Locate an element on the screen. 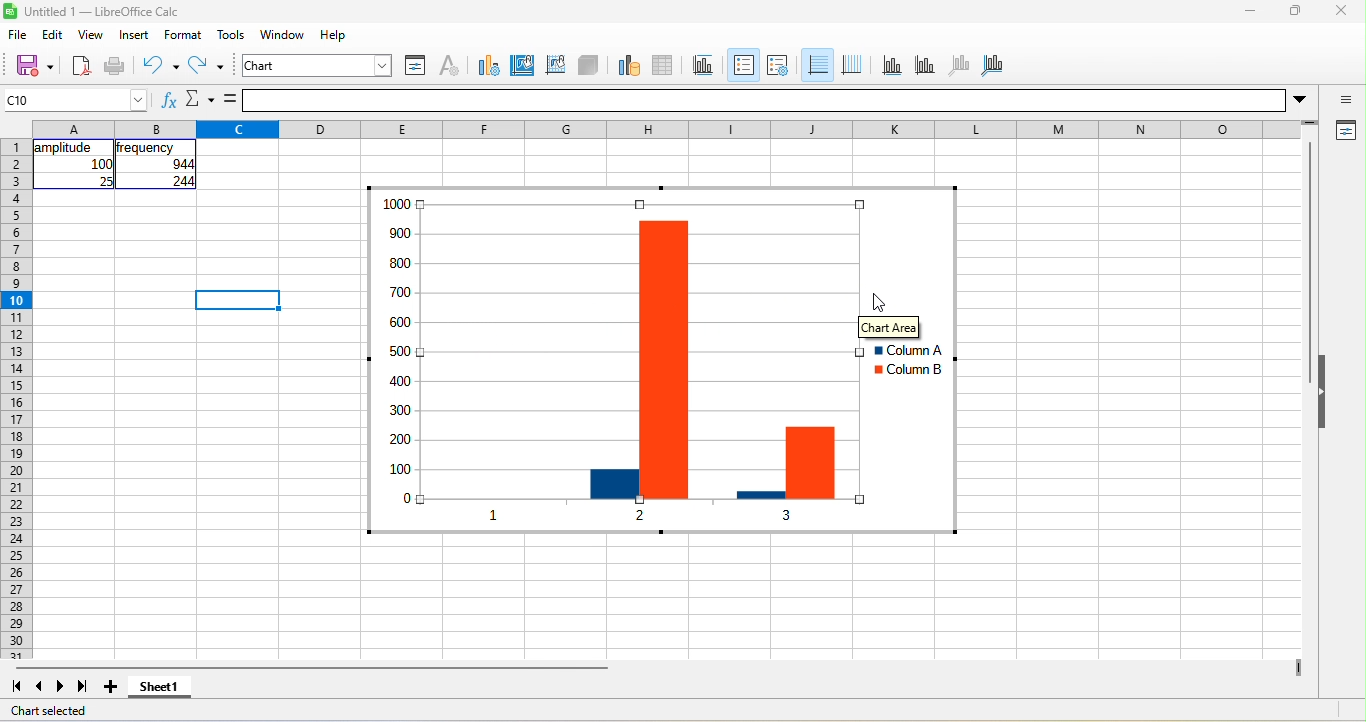  all axes is located at coordinates (993, 63).